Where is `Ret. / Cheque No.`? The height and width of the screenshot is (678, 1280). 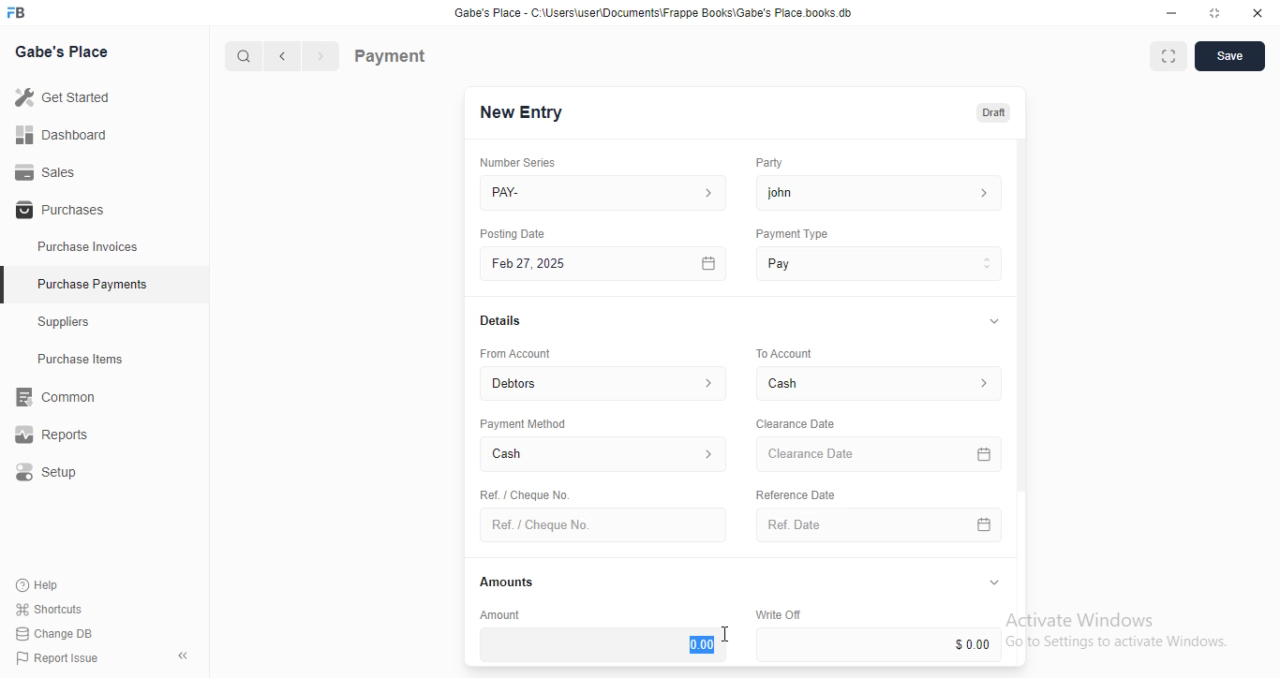 Ret. / Cheque No. is located at coordinates (522, 493).